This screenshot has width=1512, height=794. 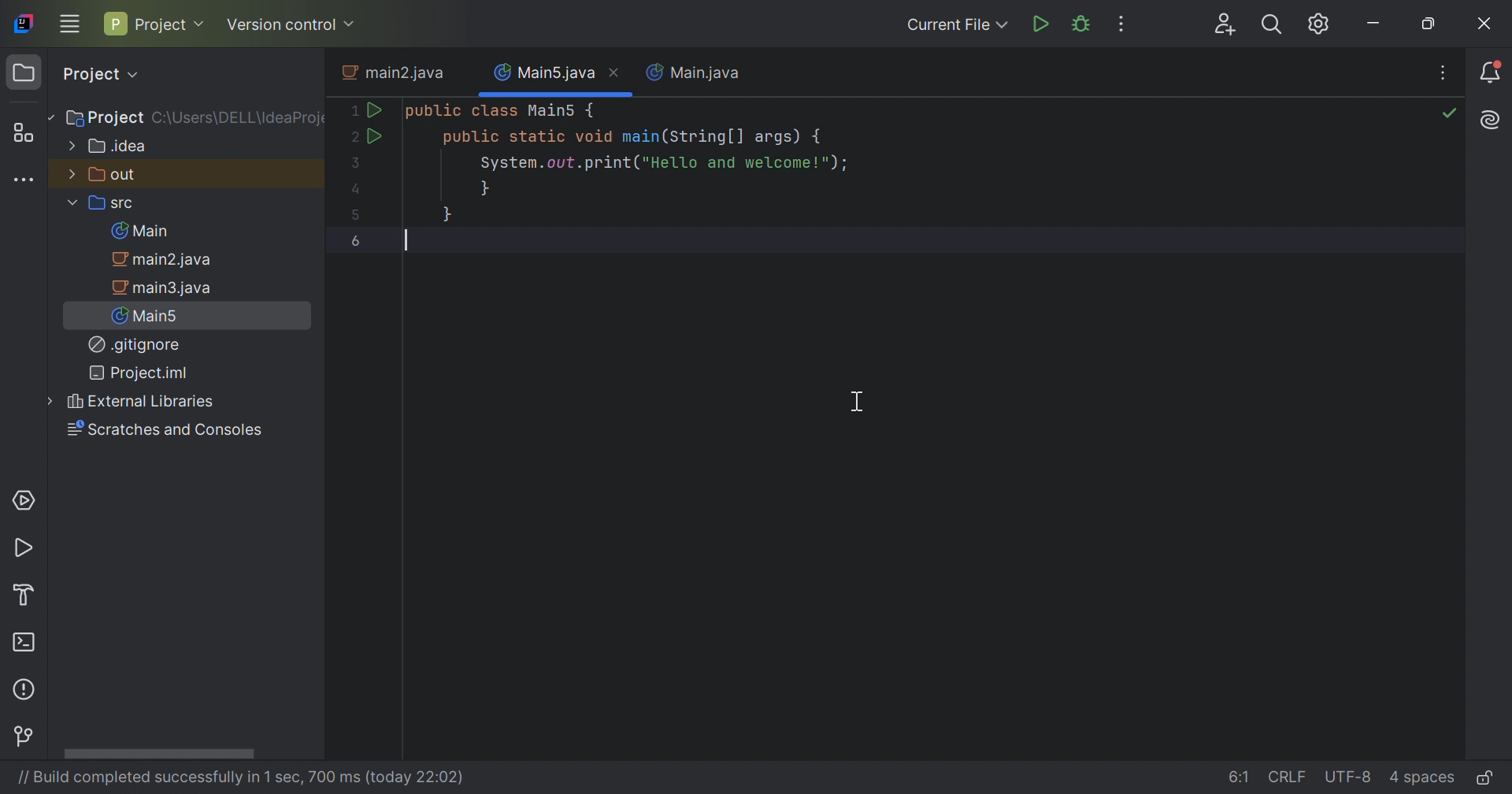 What do you see at coordinates (1350, 777) in the screenshot?
I see `file encoding: UTF-8` at bounding box center [1350, 777].